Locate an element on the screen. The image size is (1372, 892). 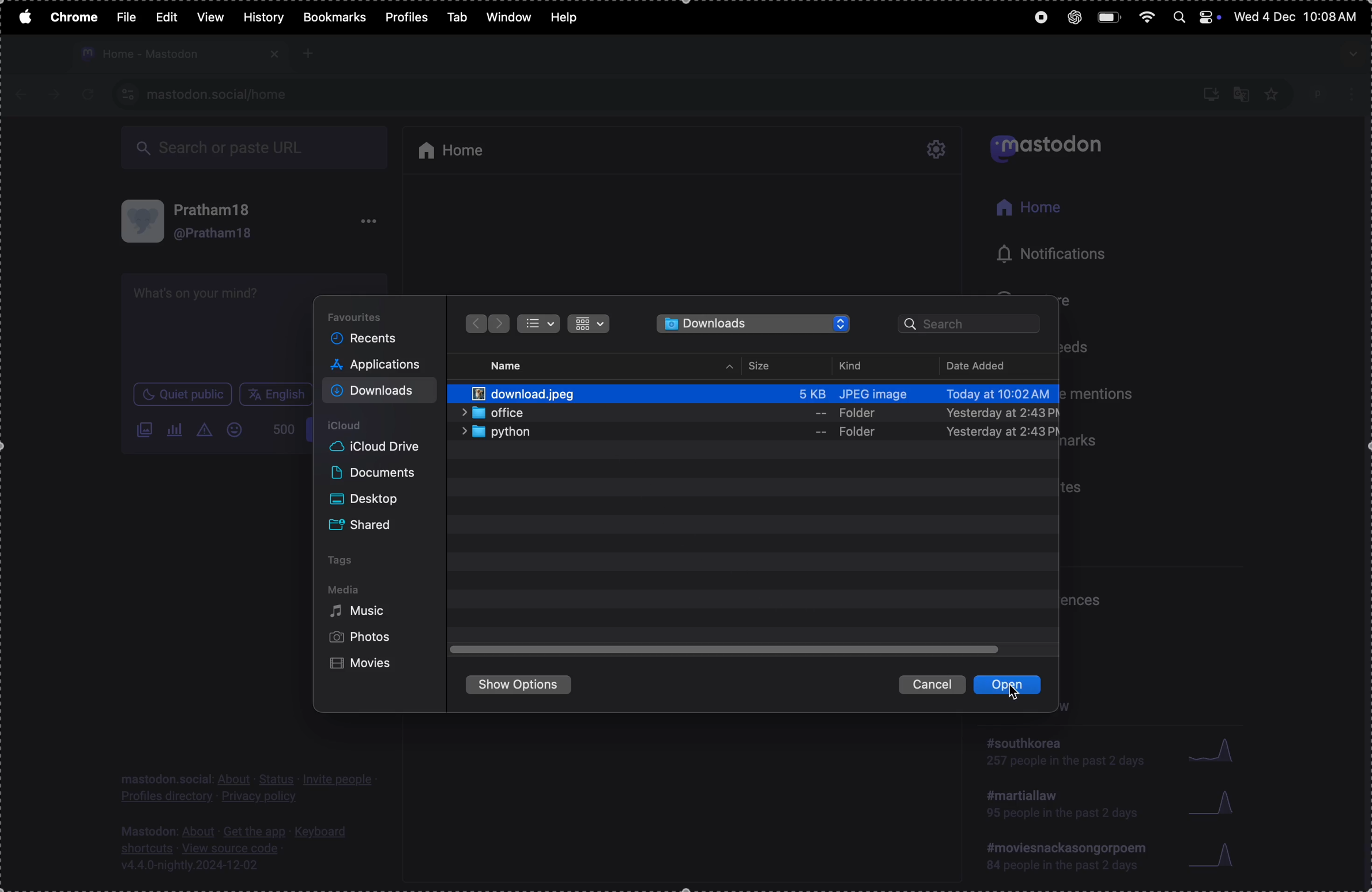
kind is located at coordinates (856, 365).